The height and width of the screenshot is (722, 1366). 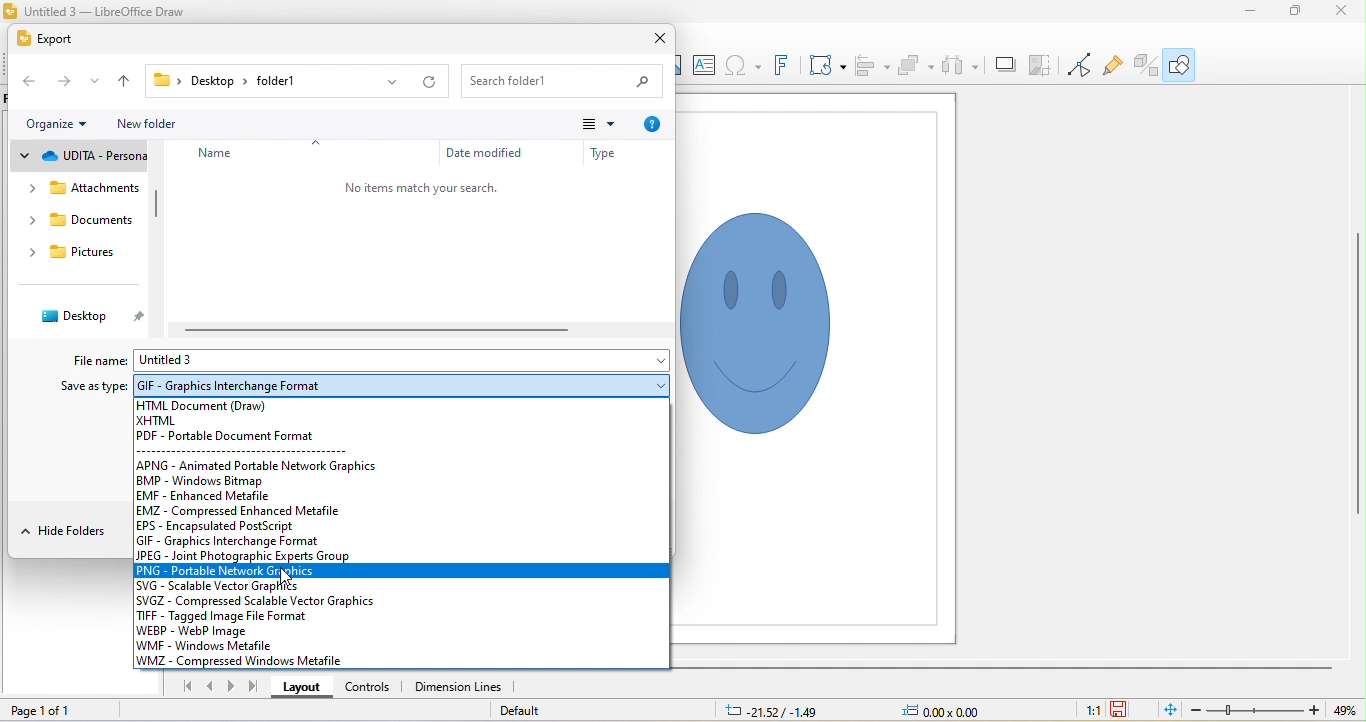 What do you see at coordinates (206, 645) in the screenshot?
I see `WMF-windows metafile` at bounding box center [206, 645].